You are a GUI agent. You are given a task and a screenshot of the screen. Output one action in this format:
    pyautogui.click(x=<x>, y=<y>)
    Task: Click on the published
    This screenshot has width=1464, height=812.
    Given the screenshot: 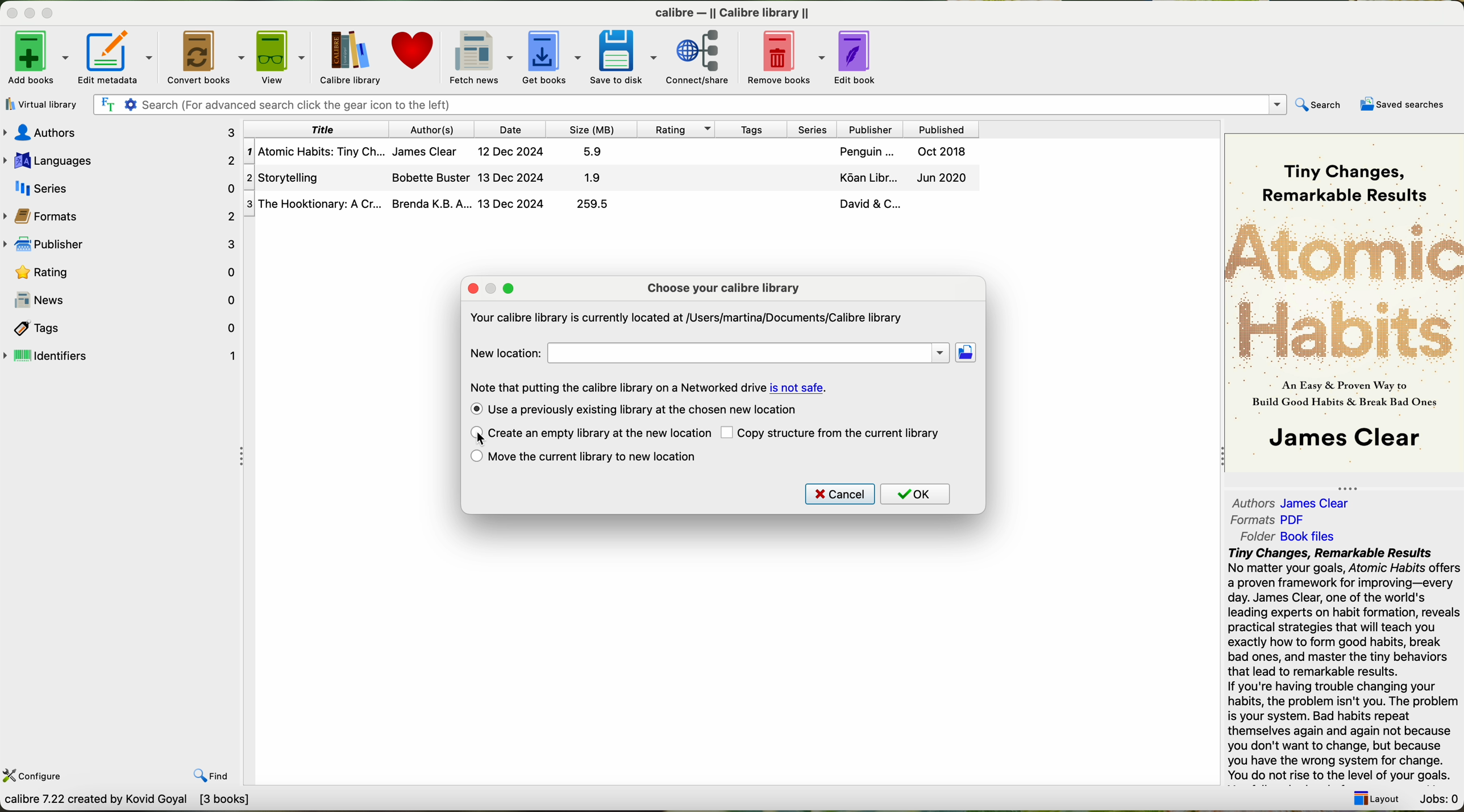 What is the action you would take?
    pyautogui.click(x=942, y=128)
    